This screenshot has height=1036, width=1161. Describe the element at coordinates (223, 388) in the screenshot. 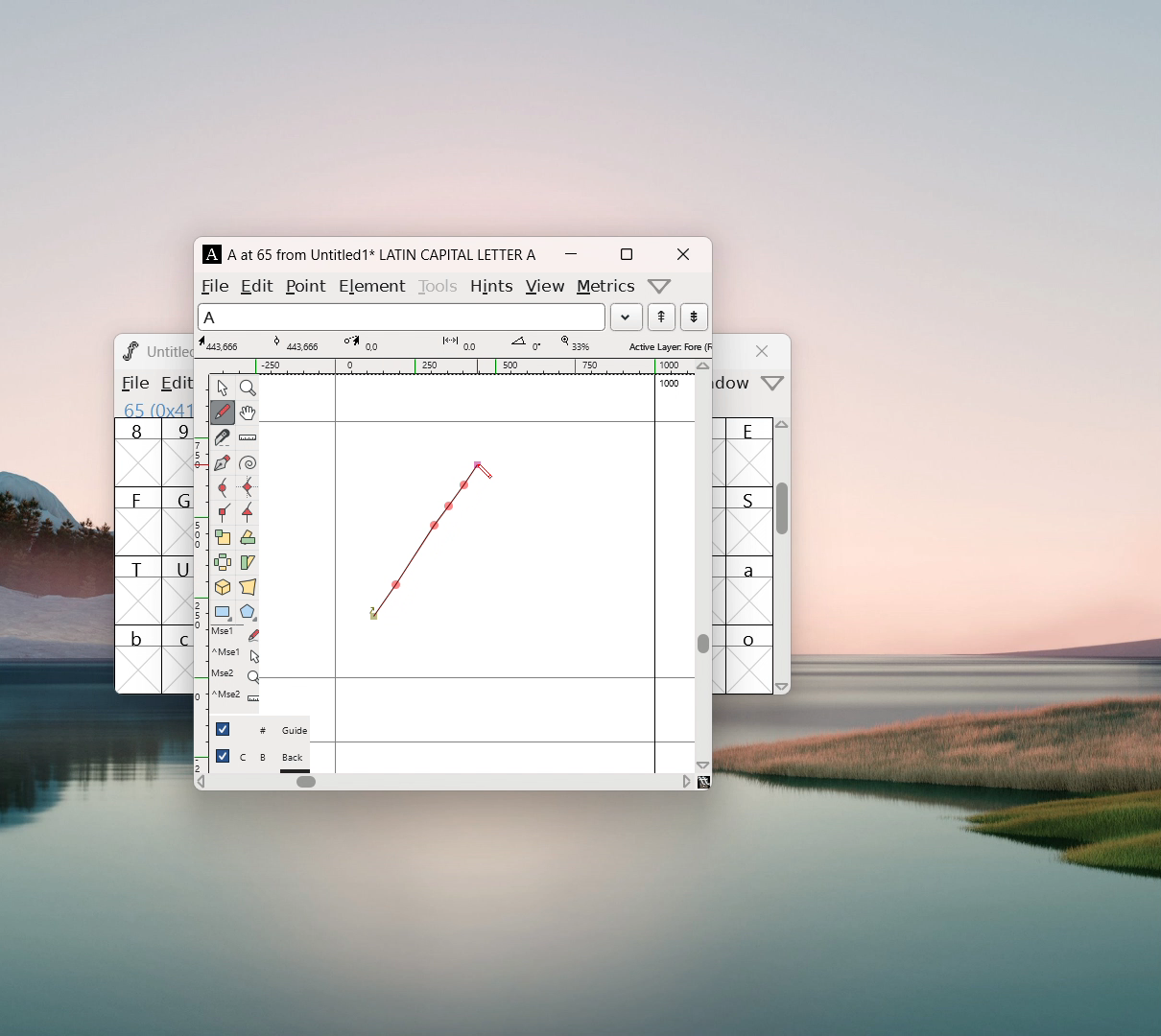

I see `pointer` at that location.